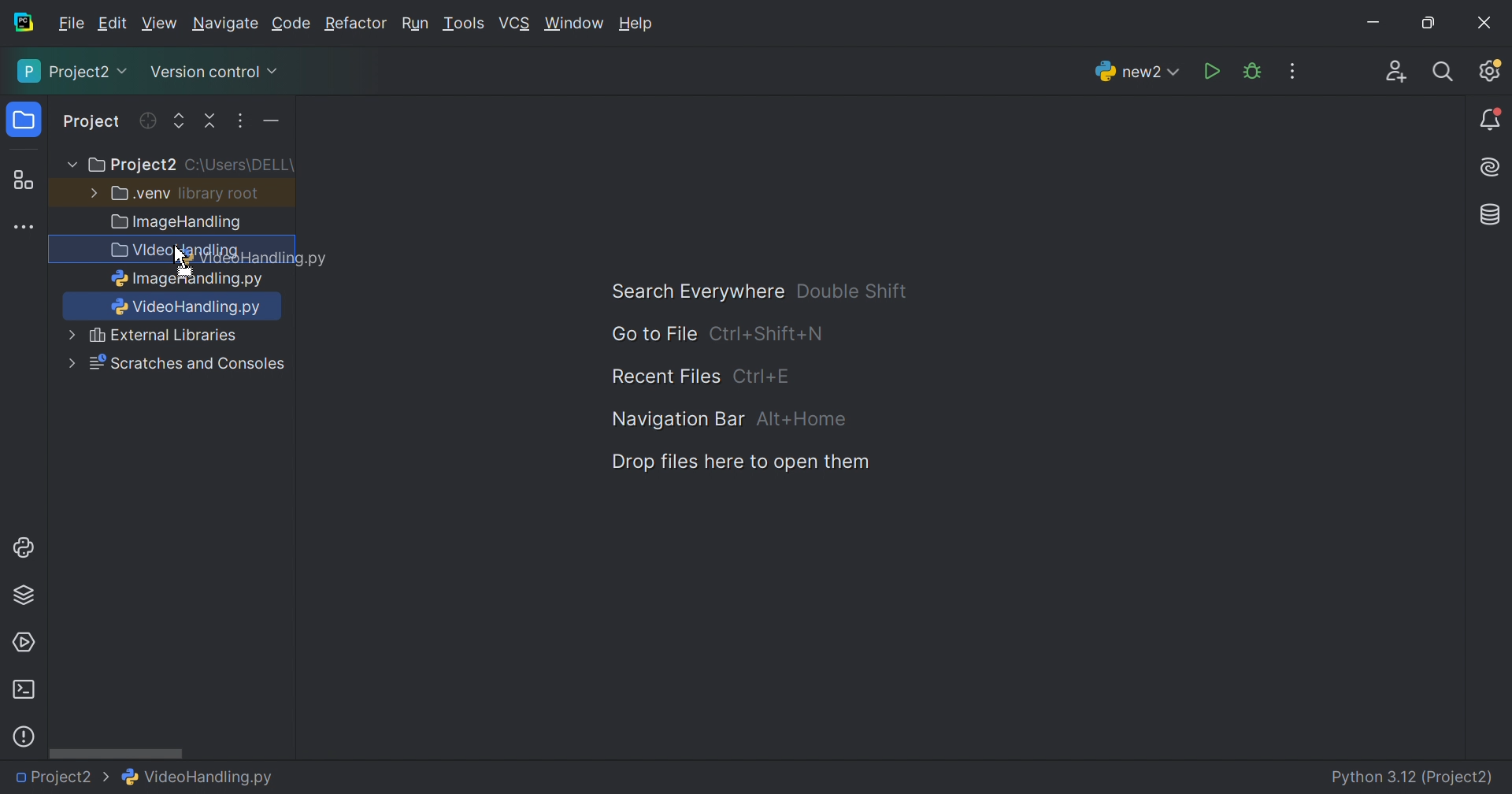 The image size is (1512, 794). I want to click on Go to File, so click(653, 334).